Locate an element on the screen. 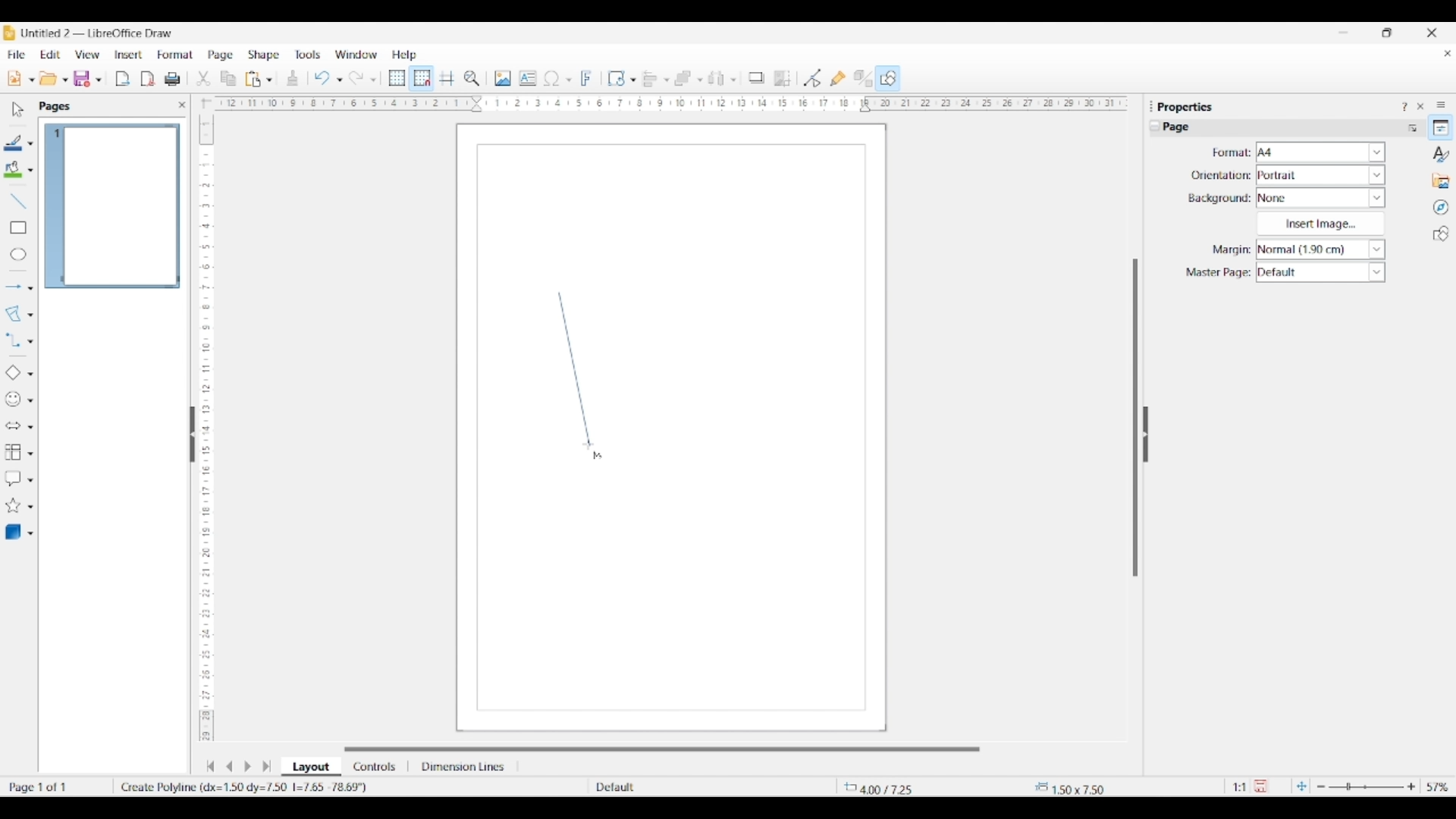 The height and width of the screenshot is (819, 1456). Selected open options is located at coordinates (49, 79).